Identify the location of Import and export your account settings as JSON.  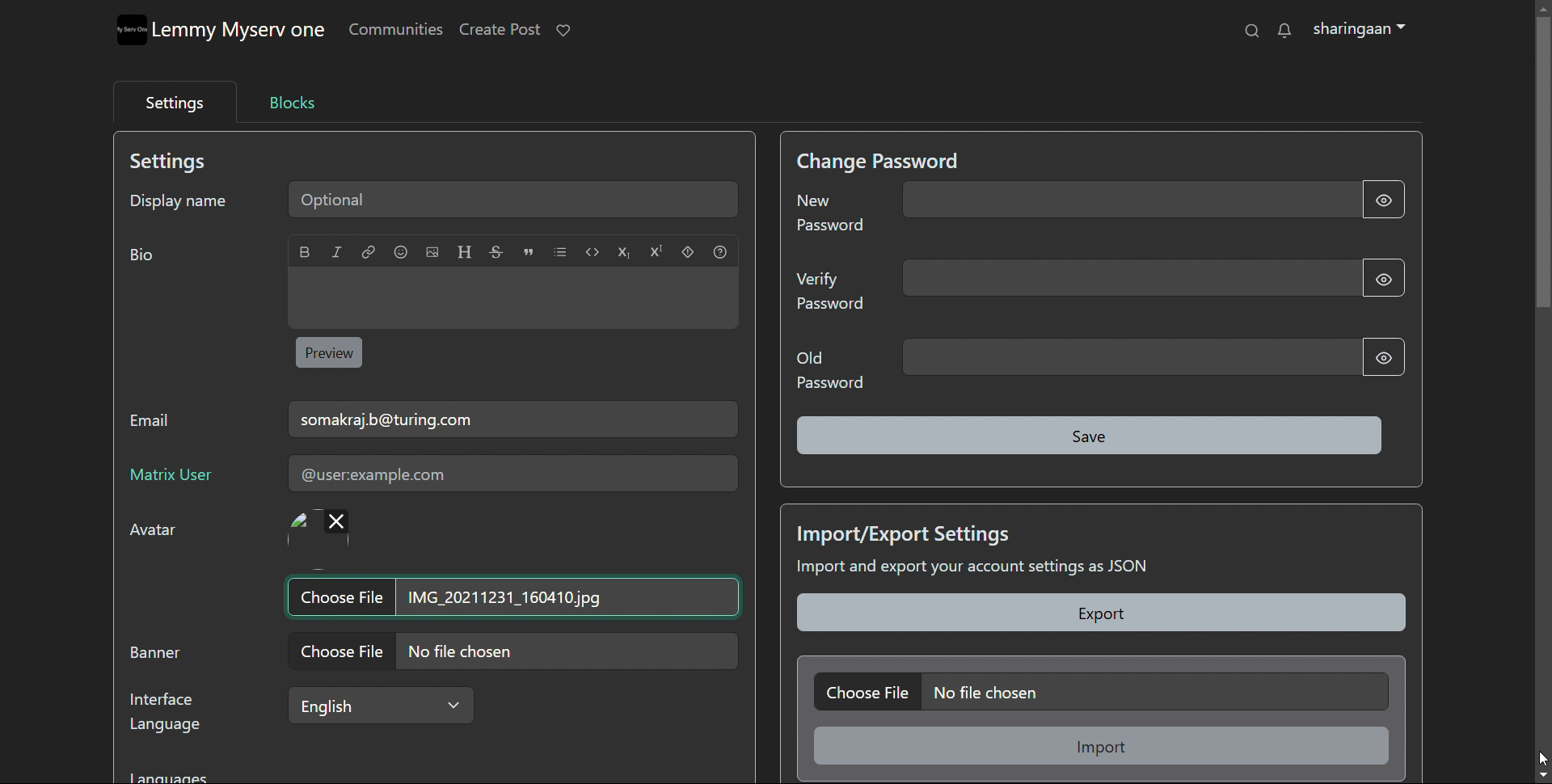
(1013, 570).